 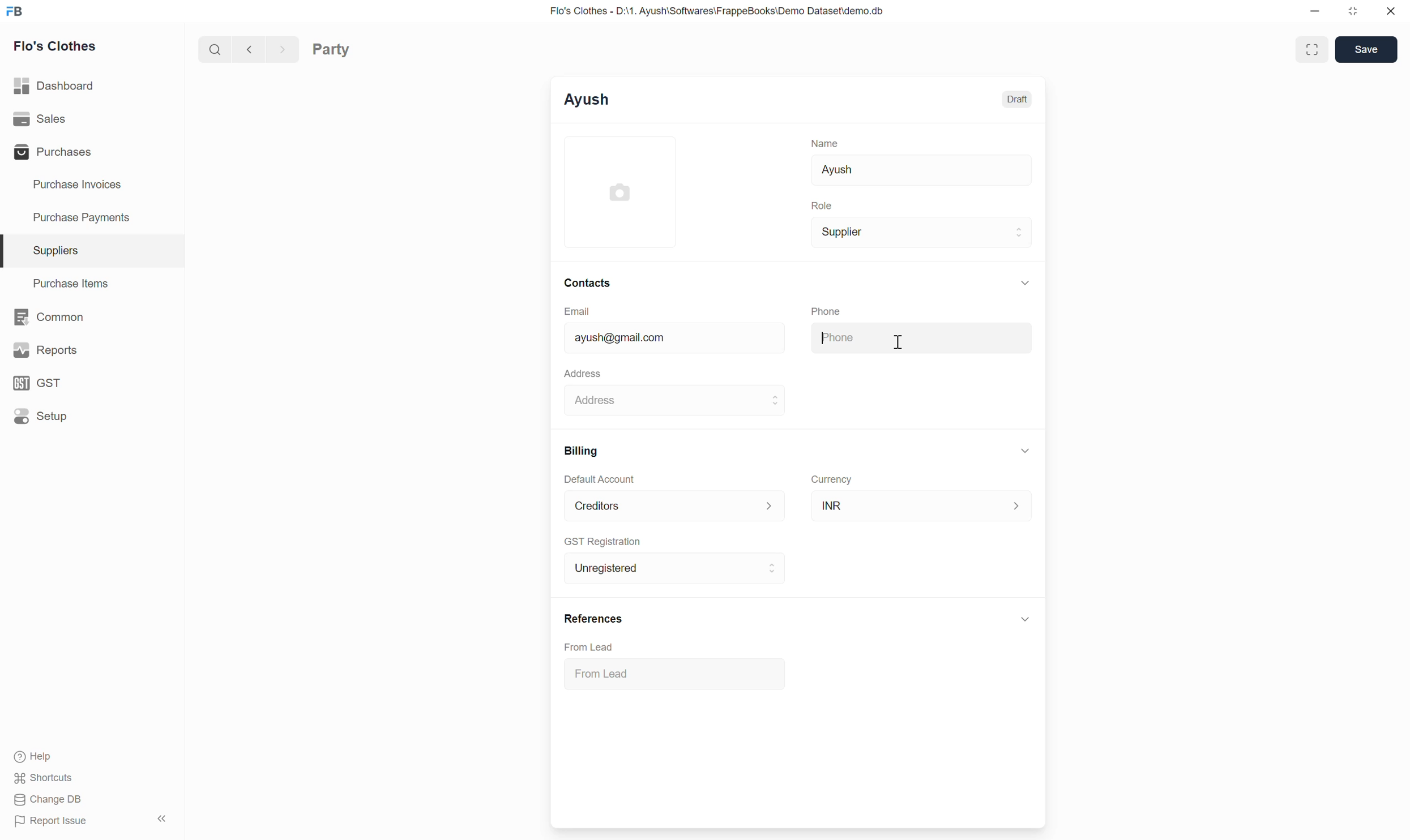 I want to click on Report Issue, so click(x=53, y=821).